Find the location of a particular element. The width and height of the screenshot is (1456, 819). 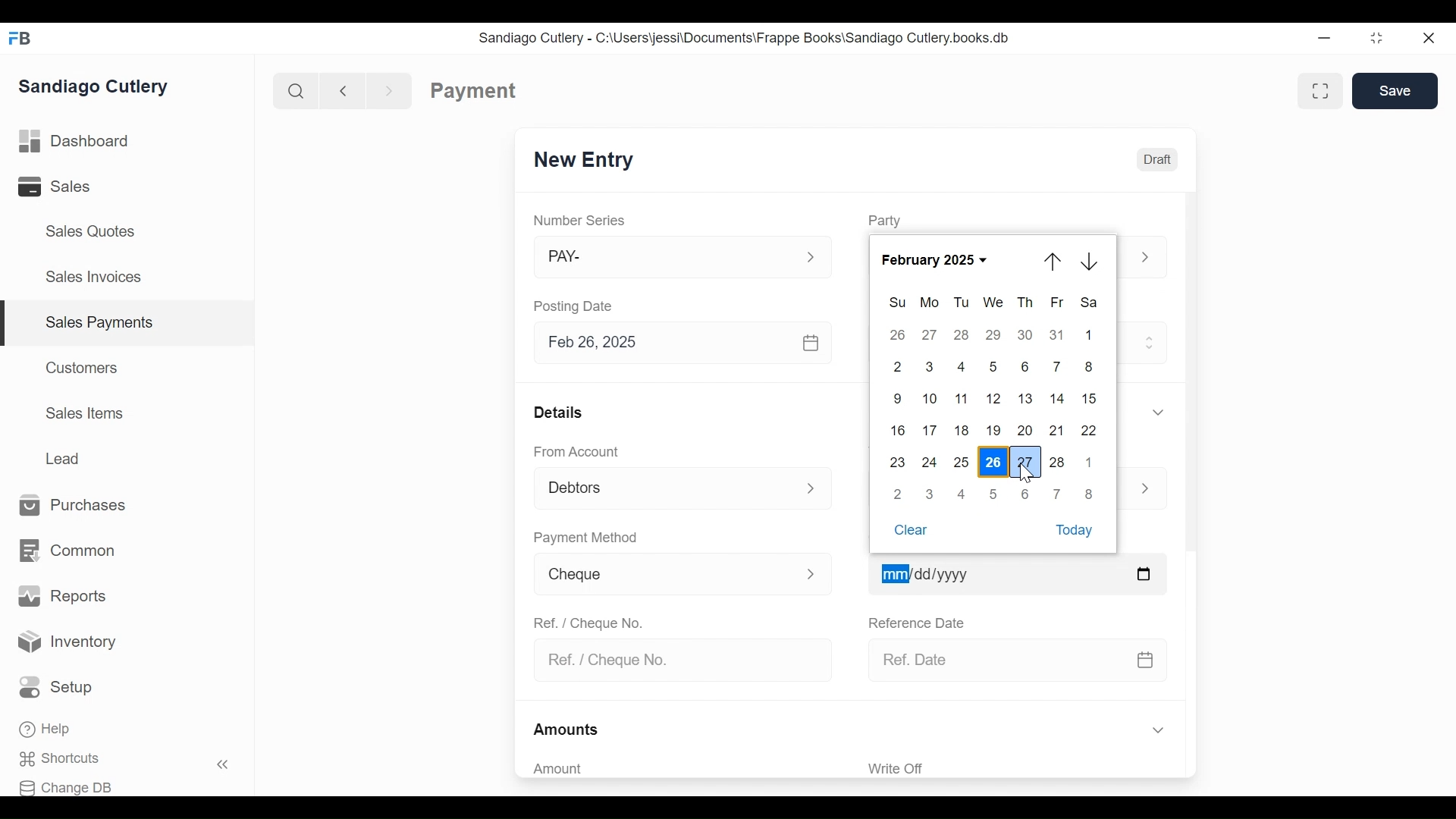

5 is located at coordinates (993, 493).